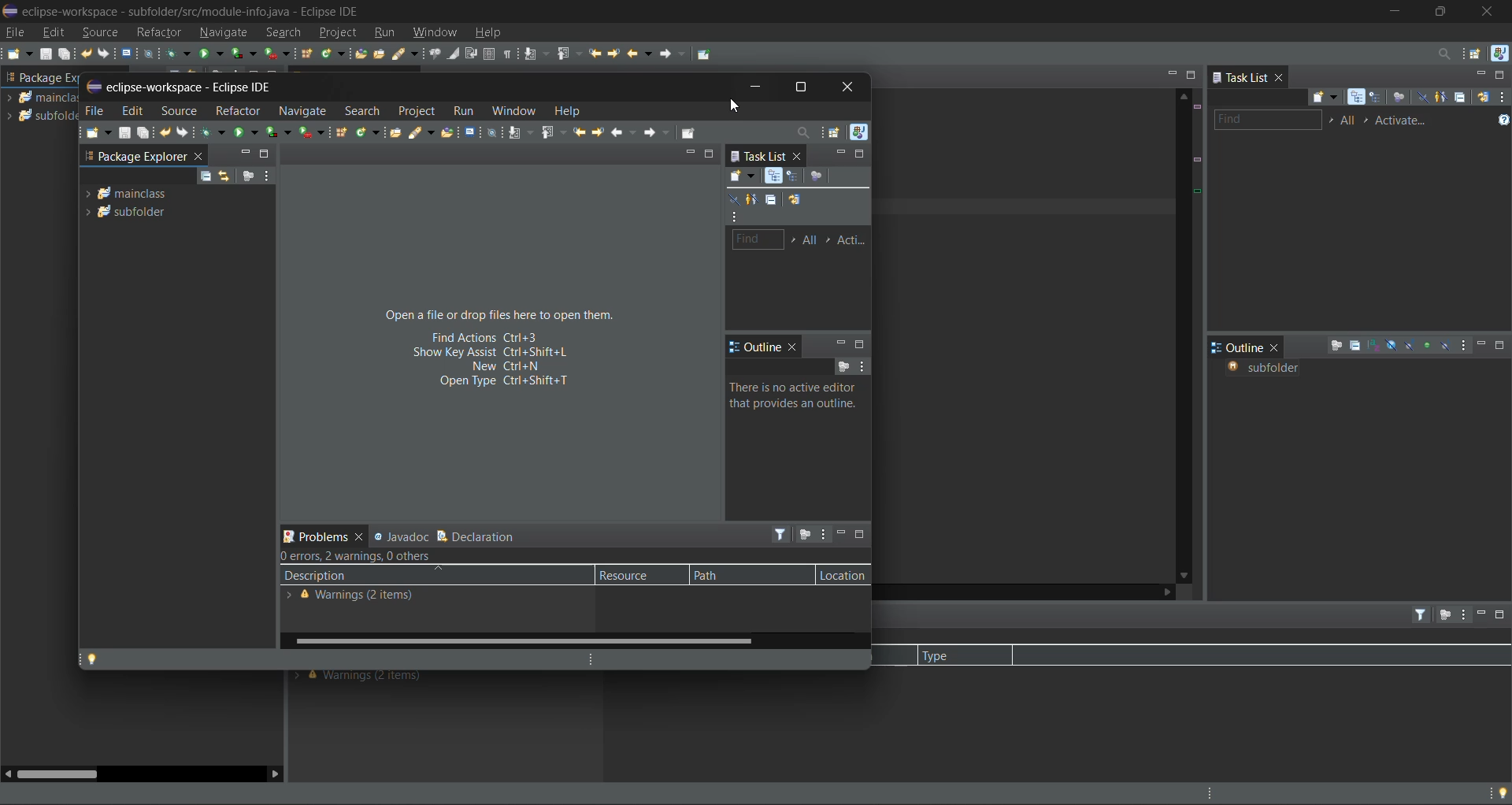 The image size is (1512, 805). What do you see at coordinates (711, 57) in the screenshot?
I see `pin editor` at bounding box center [711, 57].